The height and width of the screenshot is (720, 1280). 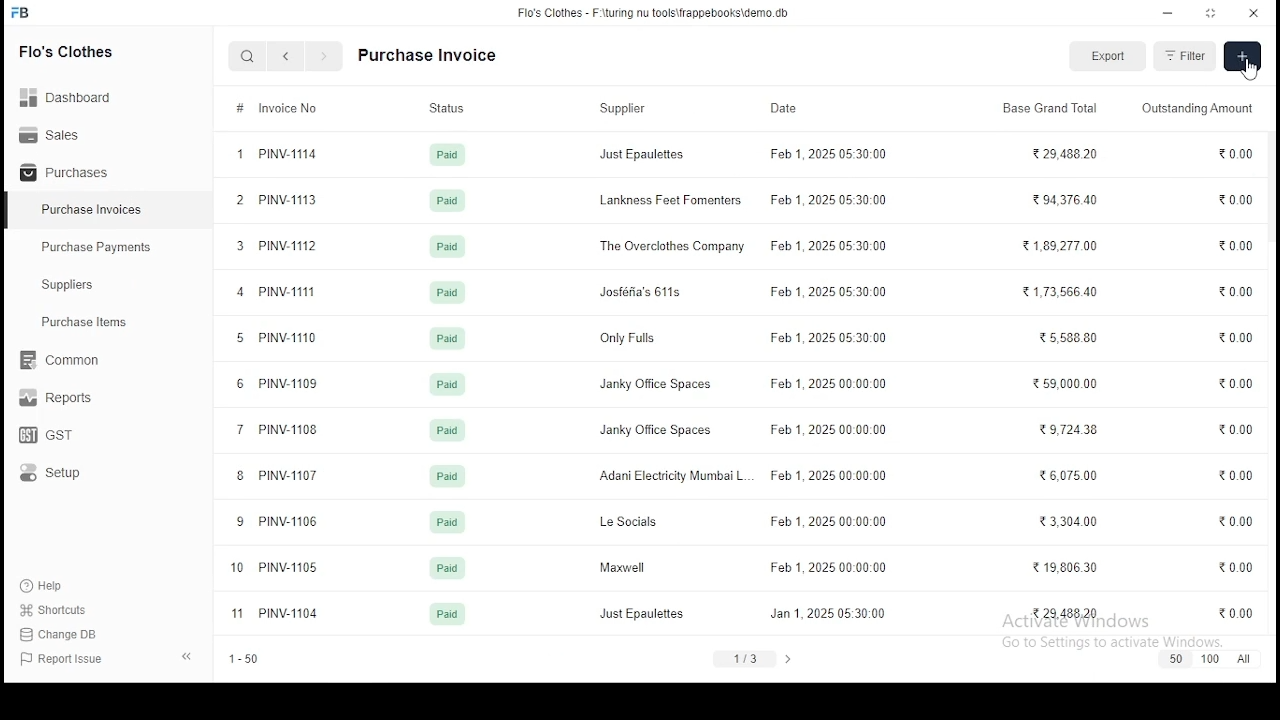 What do you see at coordinates (1251, 74) in the screenshot?
I see `mouse pointer` at bounding box center [1251, 74].